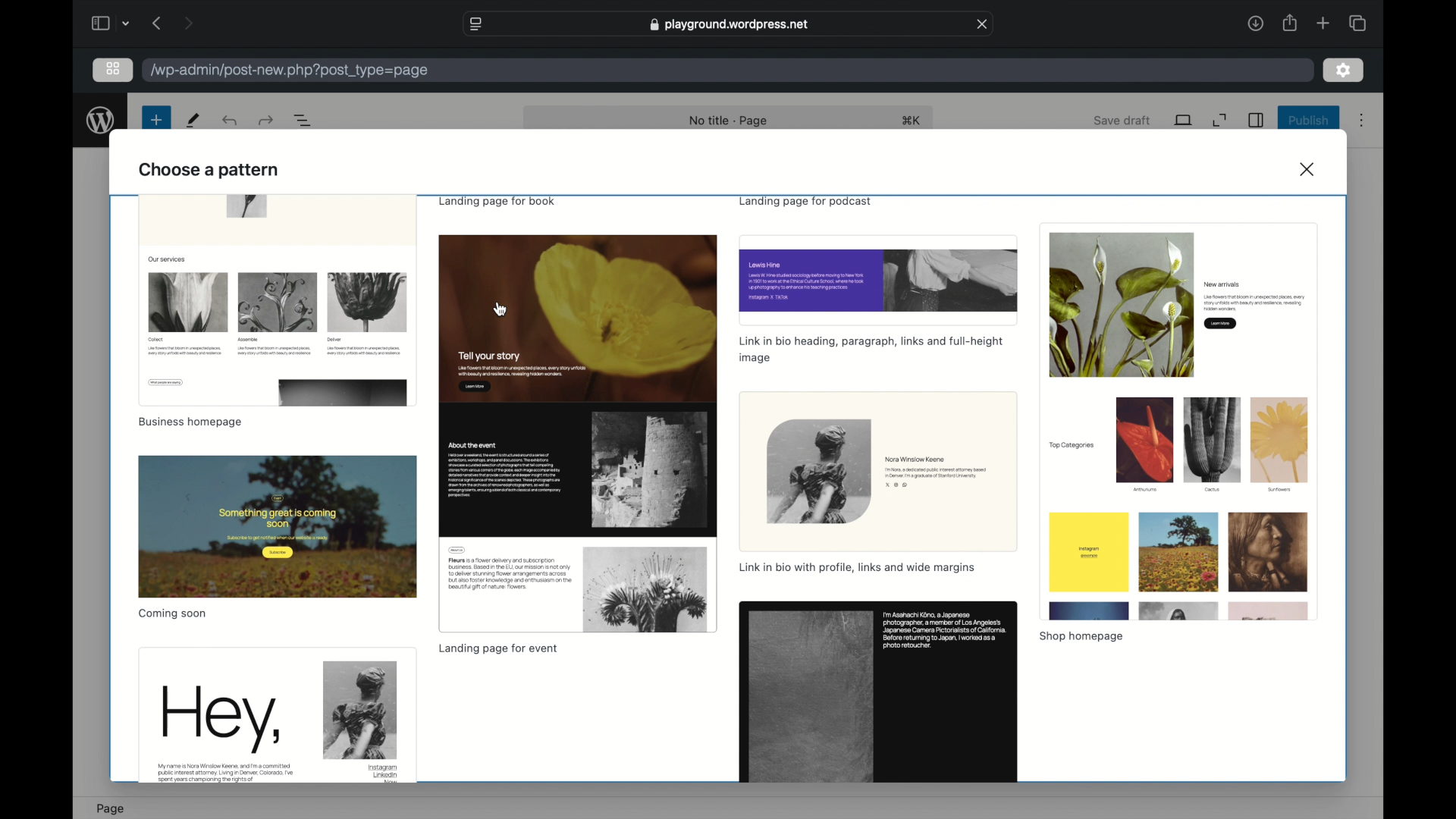 The height and width of the screenshot is (819, 1456). What do you see at coordinates (475, 24) in the screenshot?
I see `website settings` at bounding box center [475, 24].